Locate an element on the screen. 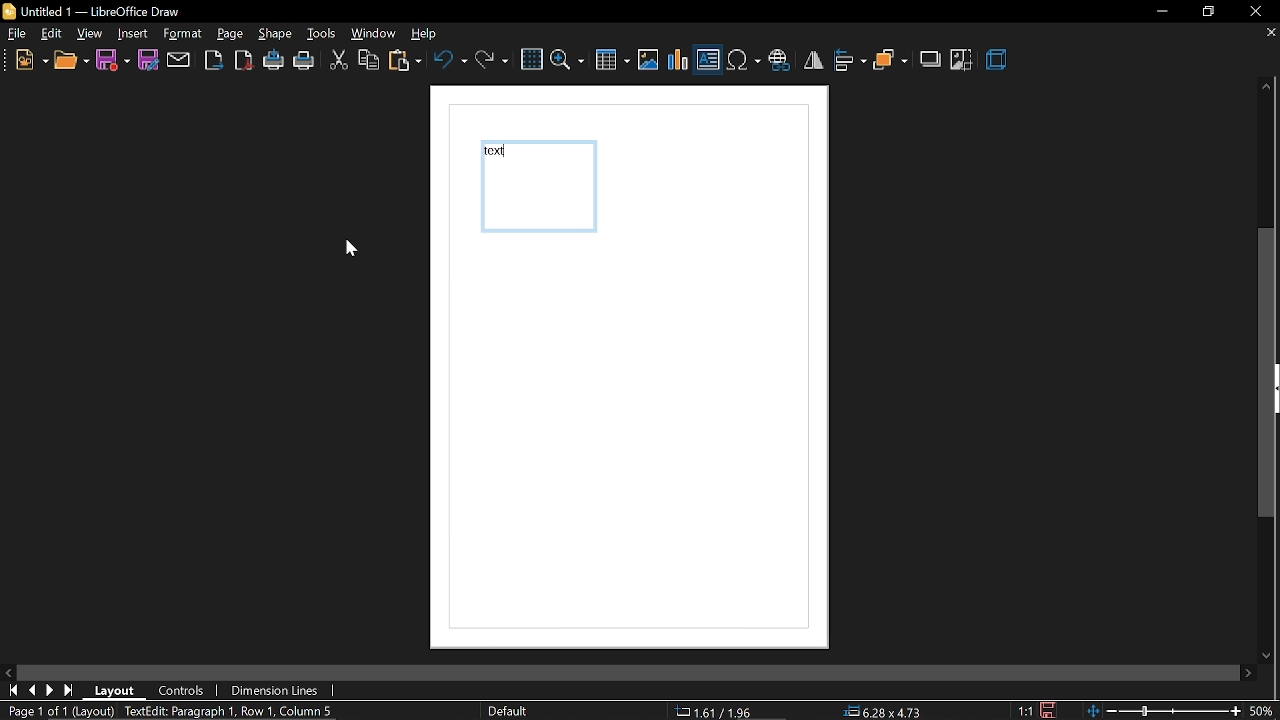 The width and height of the screenshot is (1280, 720). insert table is located at coordinates (613, 62).